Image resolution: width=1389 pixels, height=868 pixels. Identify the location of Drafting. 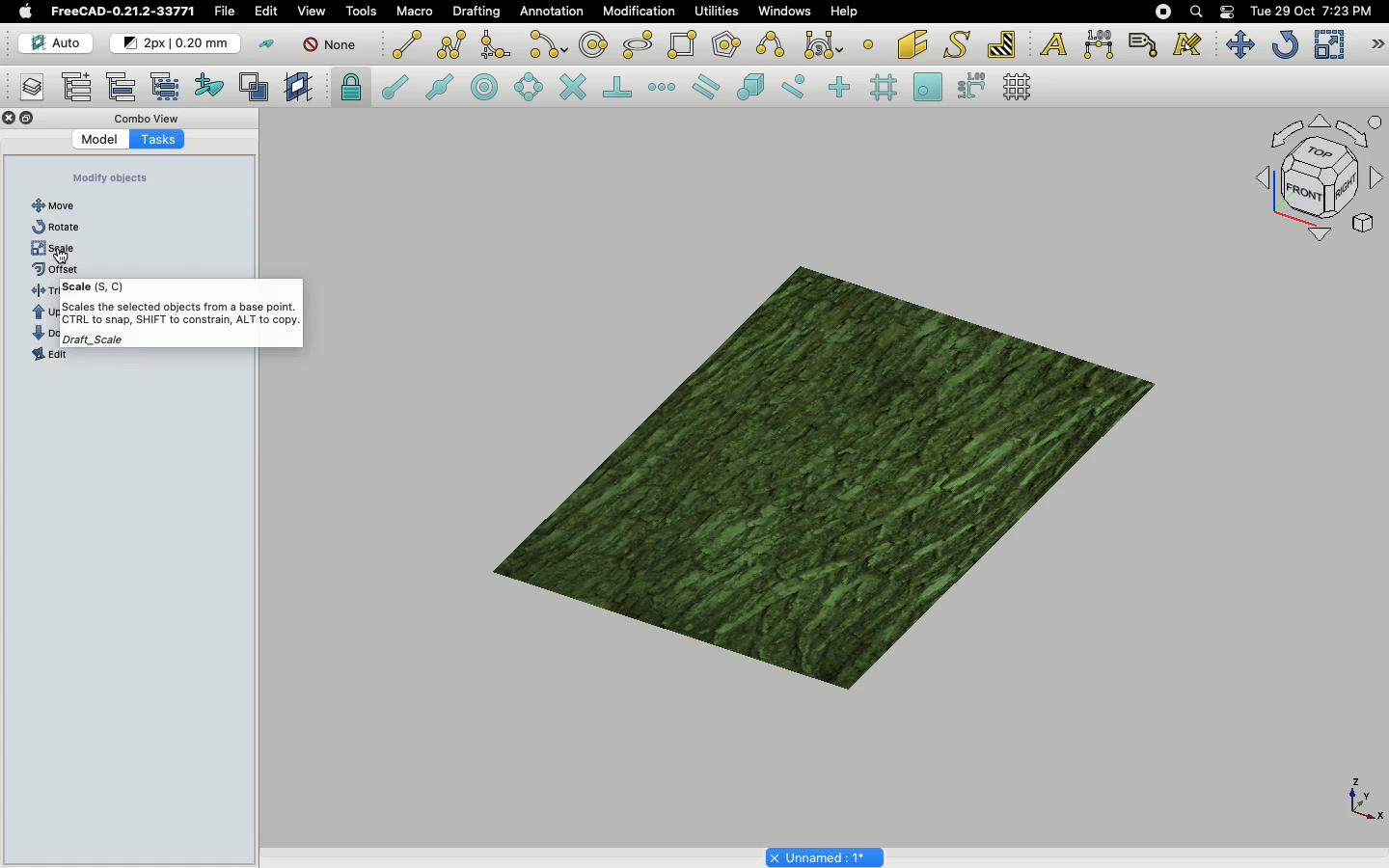
(477, 13).